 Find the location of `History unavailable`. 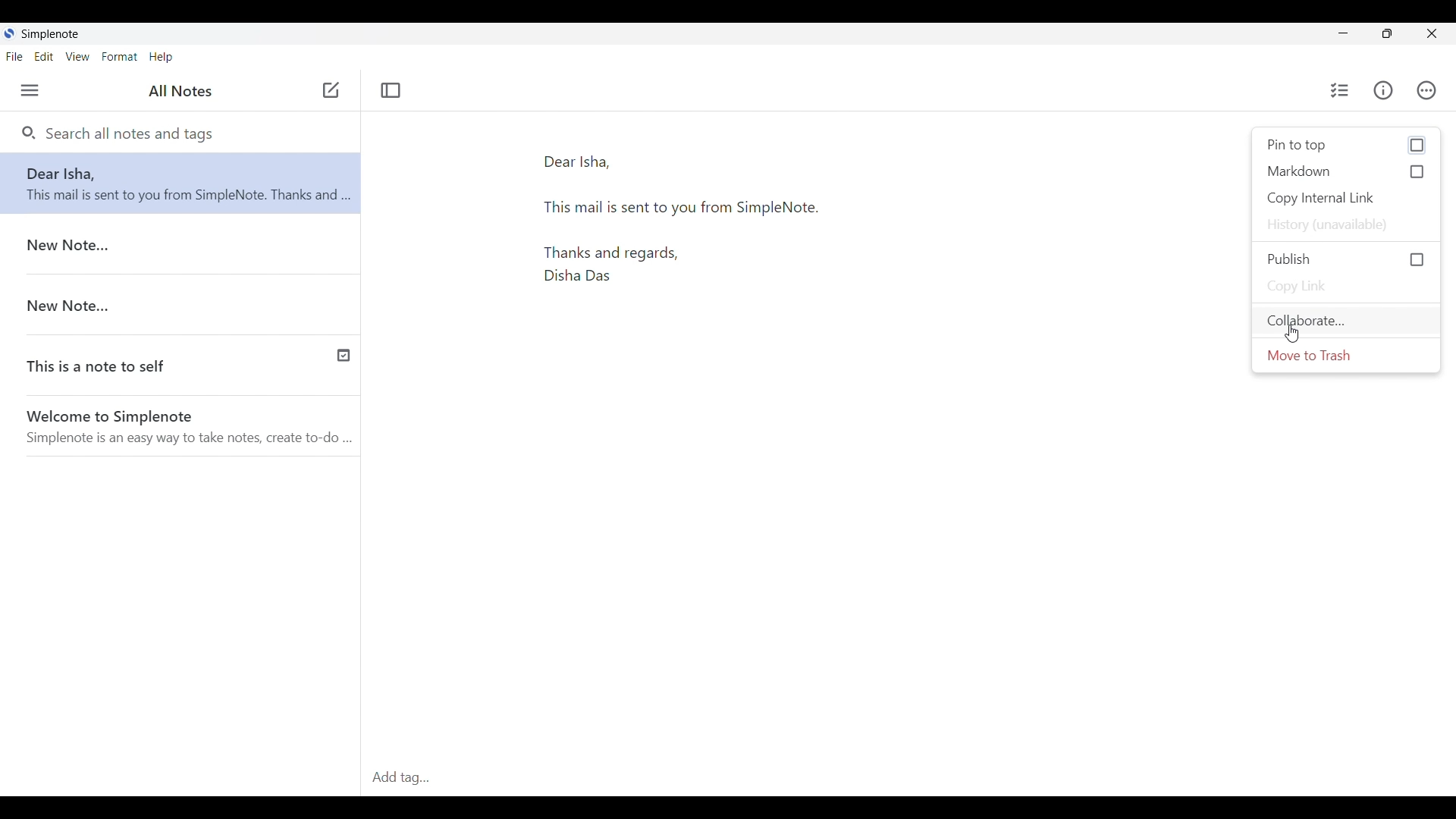

History unavailable is located at coordinates (1345, 224).